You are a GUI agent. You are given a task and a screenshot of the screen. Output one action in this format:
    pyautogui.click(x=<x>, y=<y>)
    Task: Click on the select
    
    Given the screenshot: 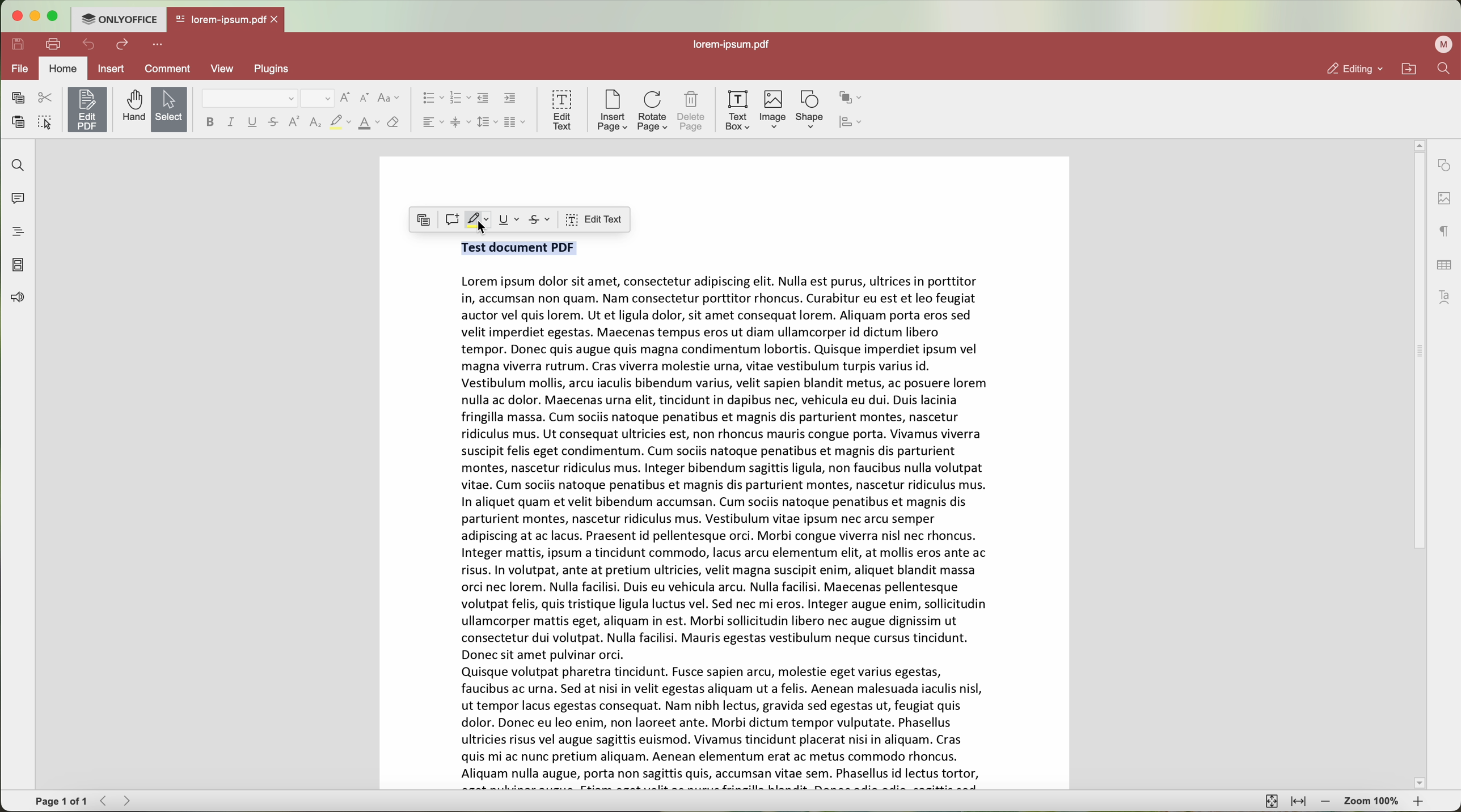 What is the action you would take?
    pyautogui.click(x=169, y=109)
    